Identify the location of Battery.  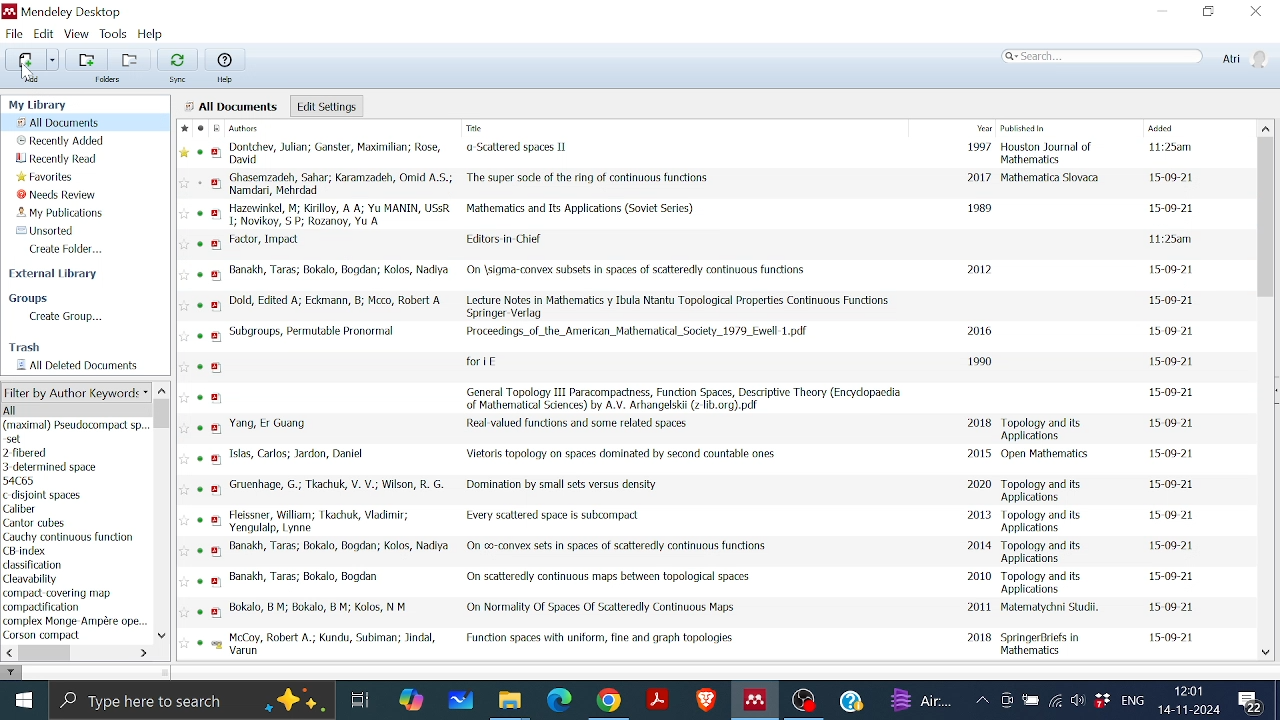
(1031, 702).